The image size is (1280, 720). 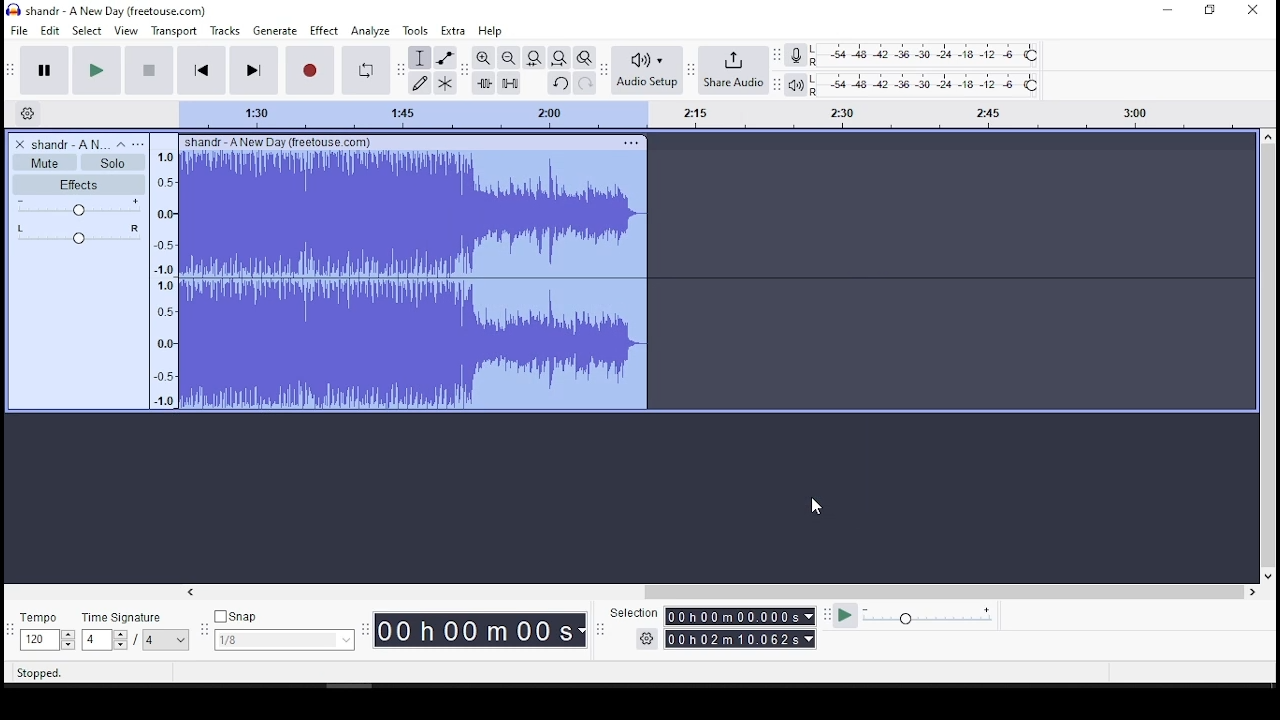 What do you see at coordinates (79, 185) in the screenshot?
I see `effects` at bounding box center [79, 185].